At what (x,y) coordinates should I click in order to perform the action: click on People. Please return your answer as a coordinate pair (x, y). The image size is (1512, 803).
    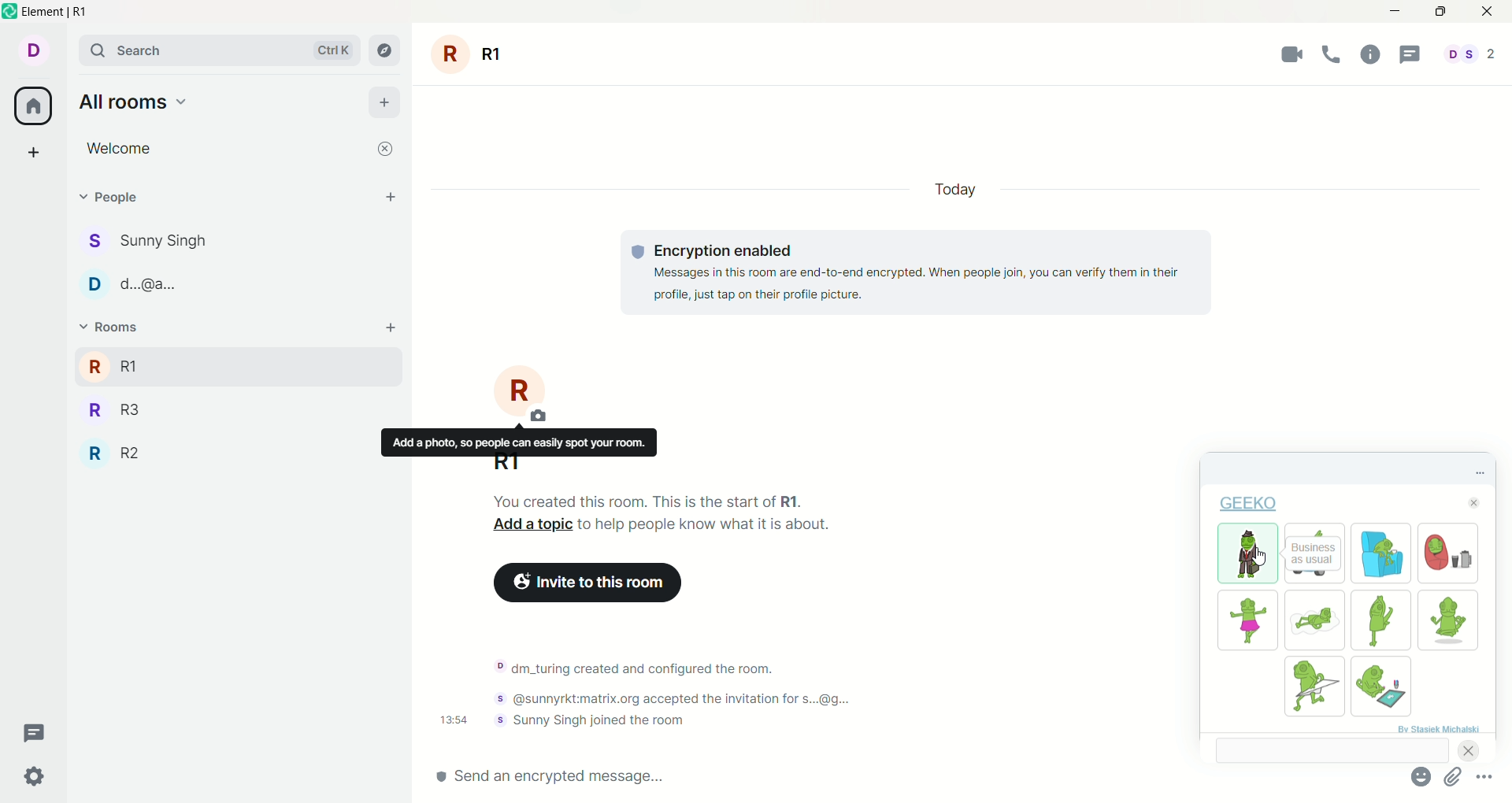
    Looking at the image, I should click on (120, 197).